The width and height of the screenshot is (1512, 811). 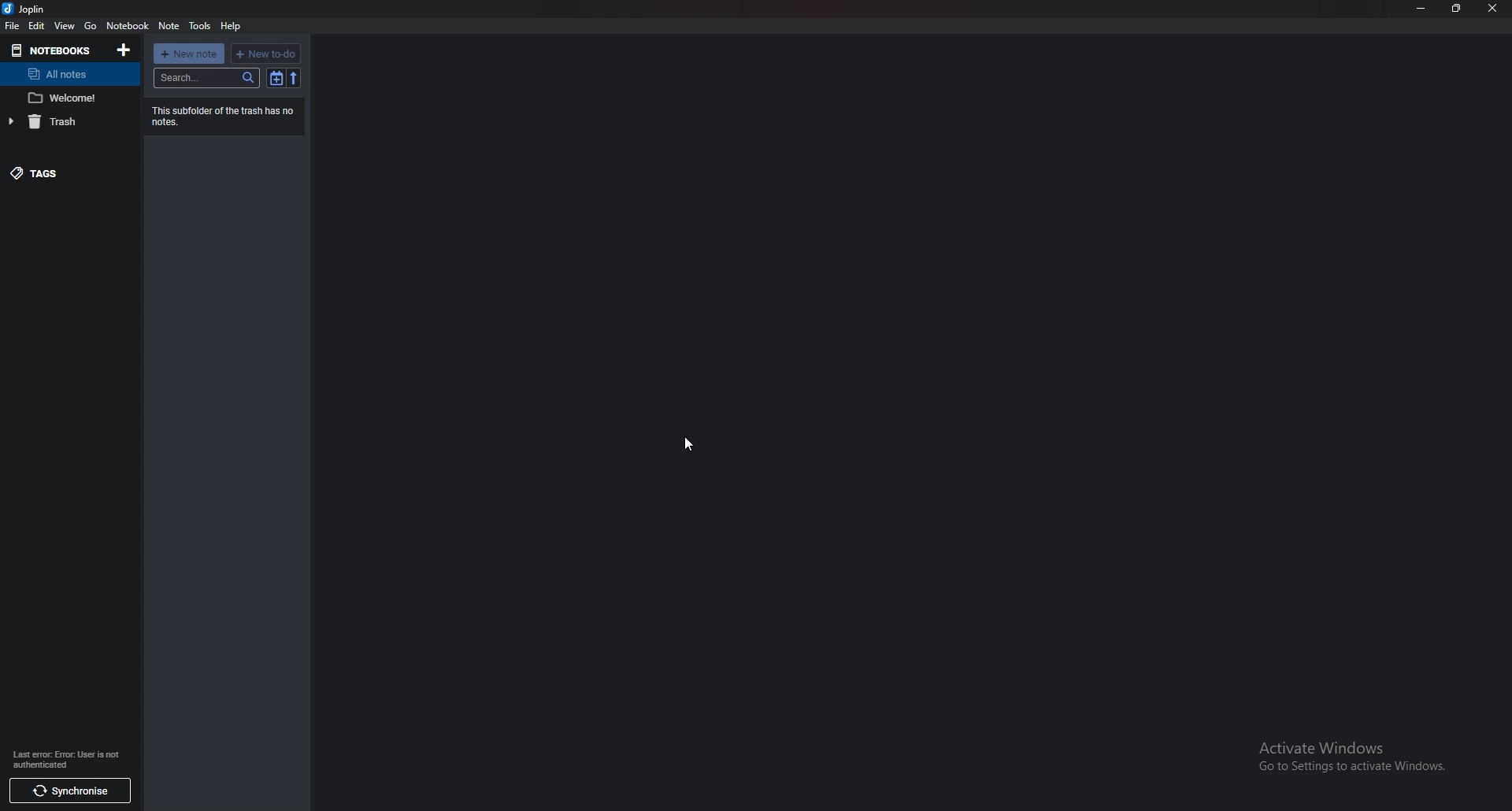 What do you see at coordinates (66, 25) in the screenshot?
I see `view` at bounding box center [66, 25].